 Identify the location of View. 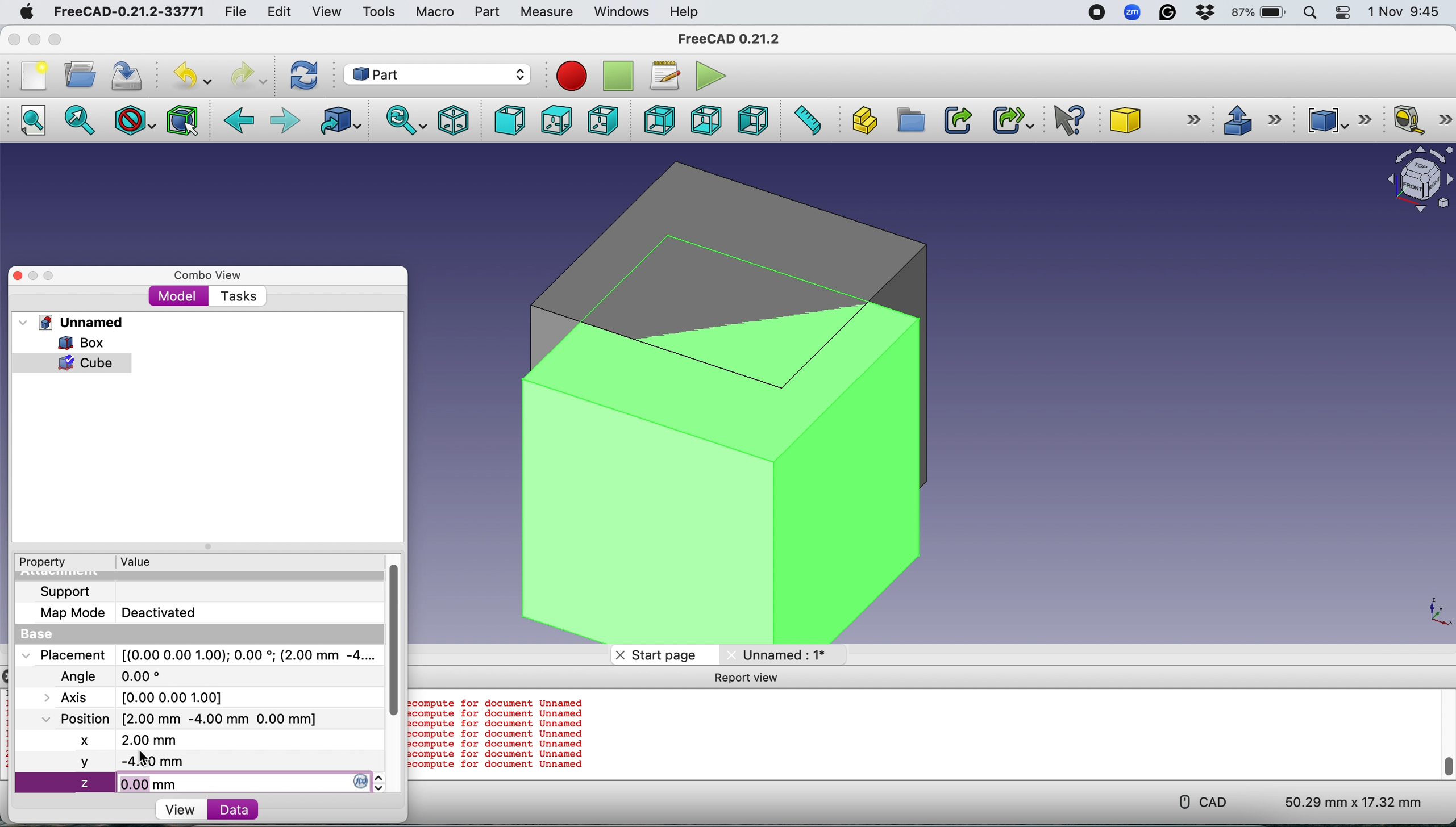
(326, 12).